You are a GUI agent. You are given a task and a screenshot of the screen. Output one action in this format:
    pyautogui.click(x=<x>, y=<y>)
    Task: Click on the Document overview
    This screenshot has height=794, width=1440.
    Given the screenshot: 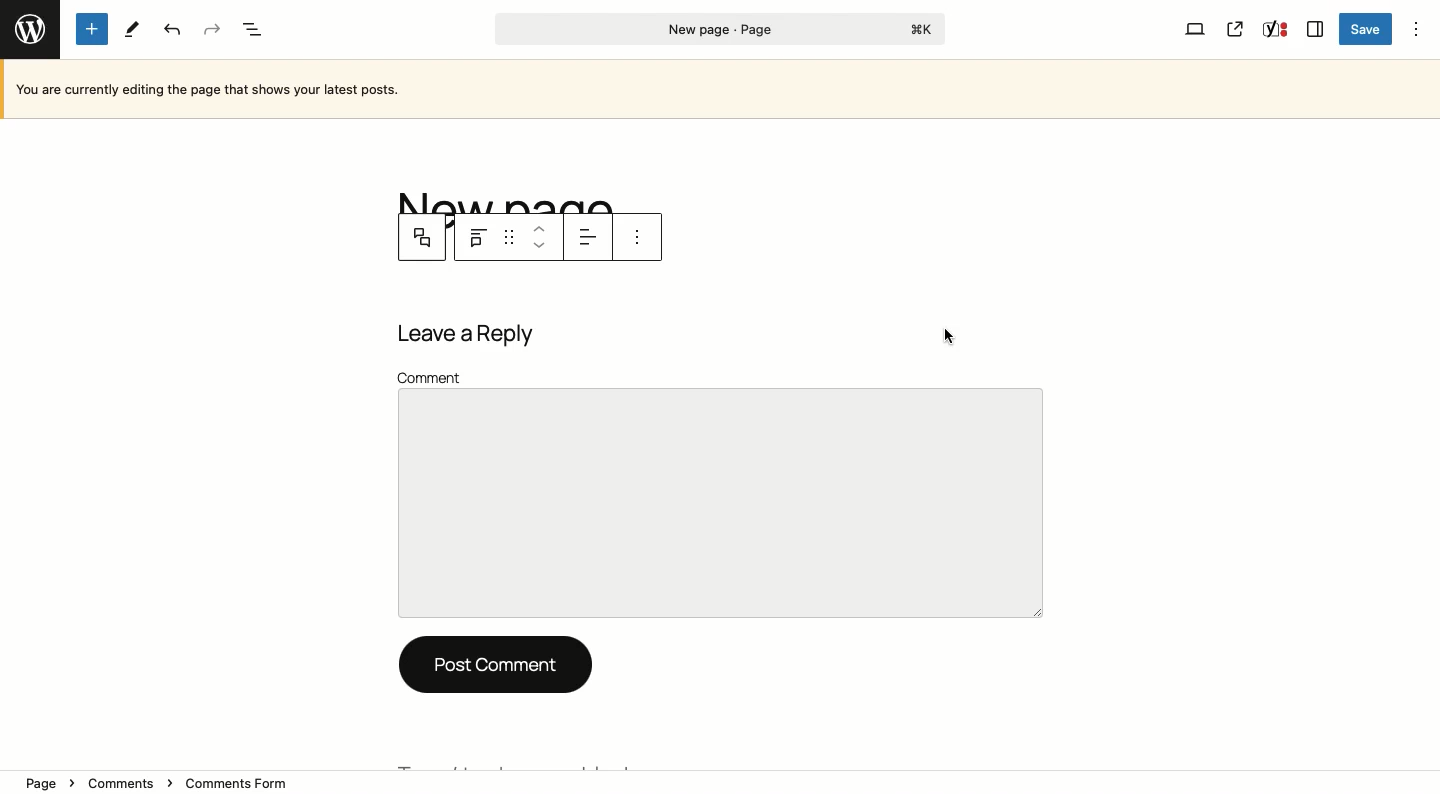 What is the action you would take?
    pyautogui.click(x=252, y=28)
    